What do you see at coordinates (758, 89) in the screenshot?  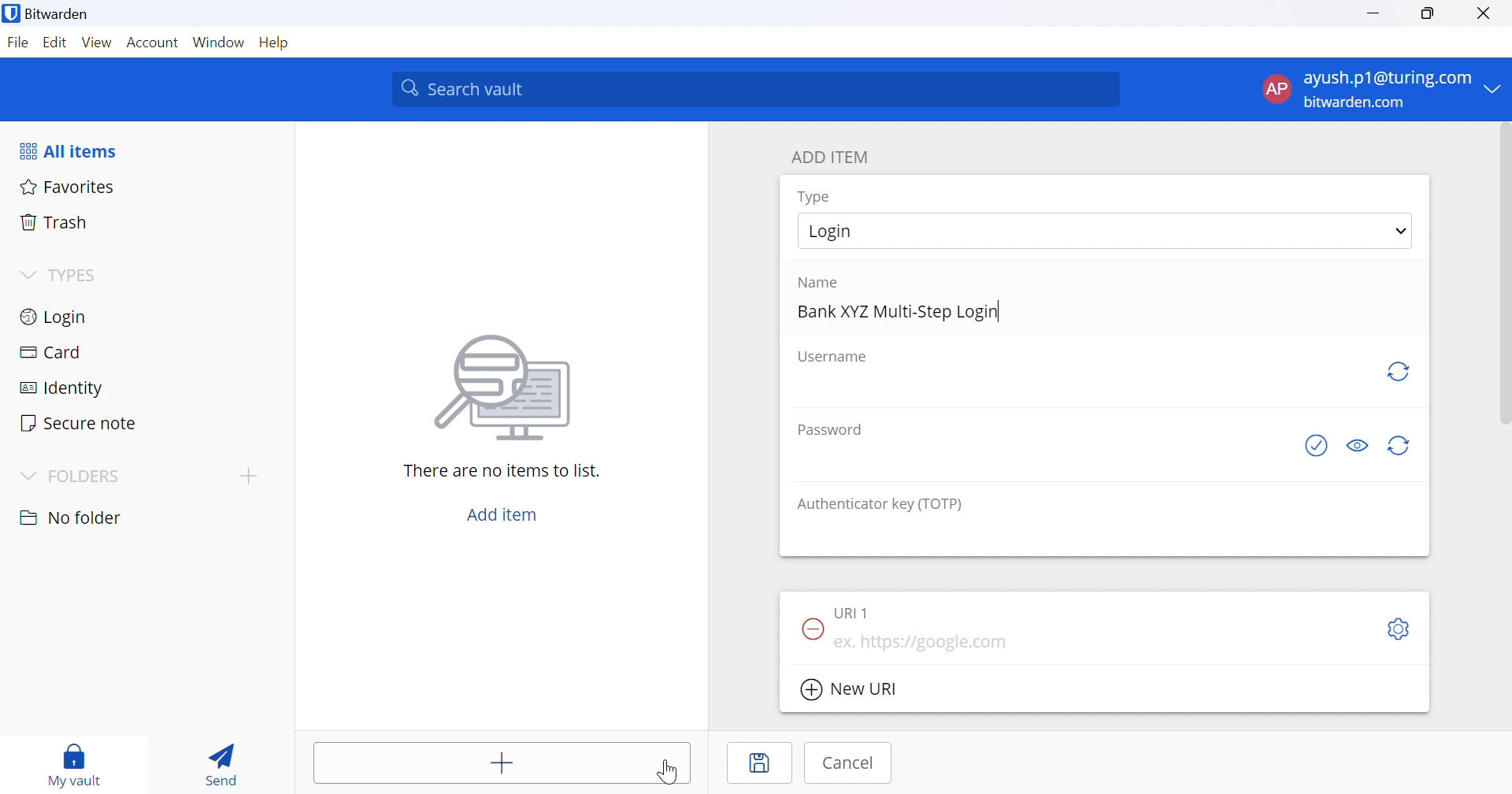 I see `Search vault` at bounding box center [758, 89].